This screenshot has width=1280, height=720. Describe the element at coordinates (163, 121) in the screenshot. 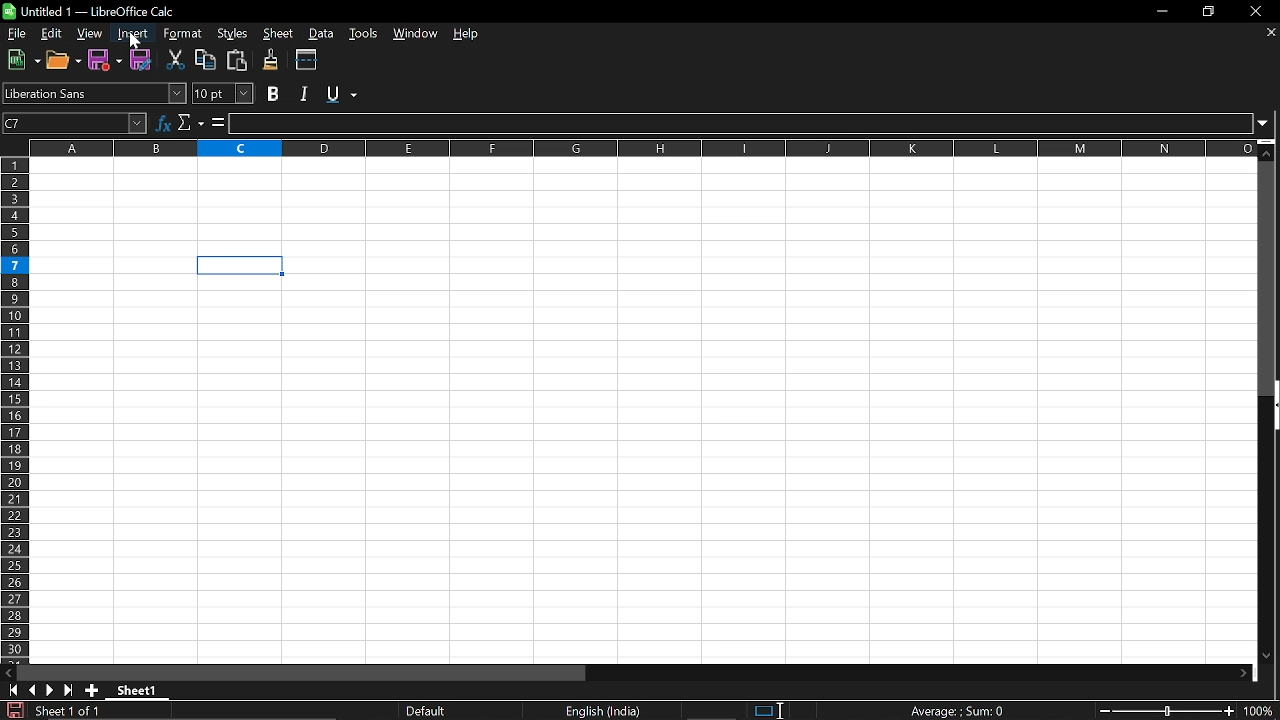

I see `Formula wizard` at that location.